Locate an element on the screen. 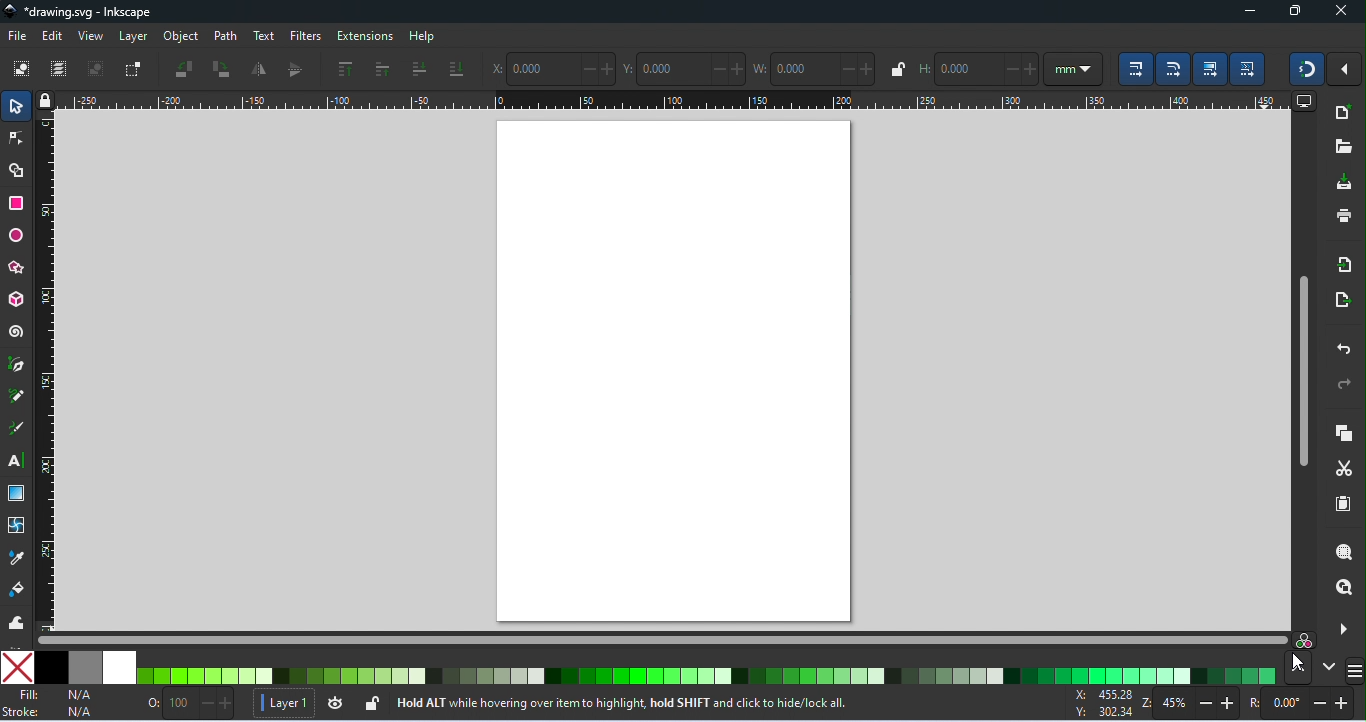 The width and height of the screenshot is (1366, 722). edit is located at coordinates (53, 36).